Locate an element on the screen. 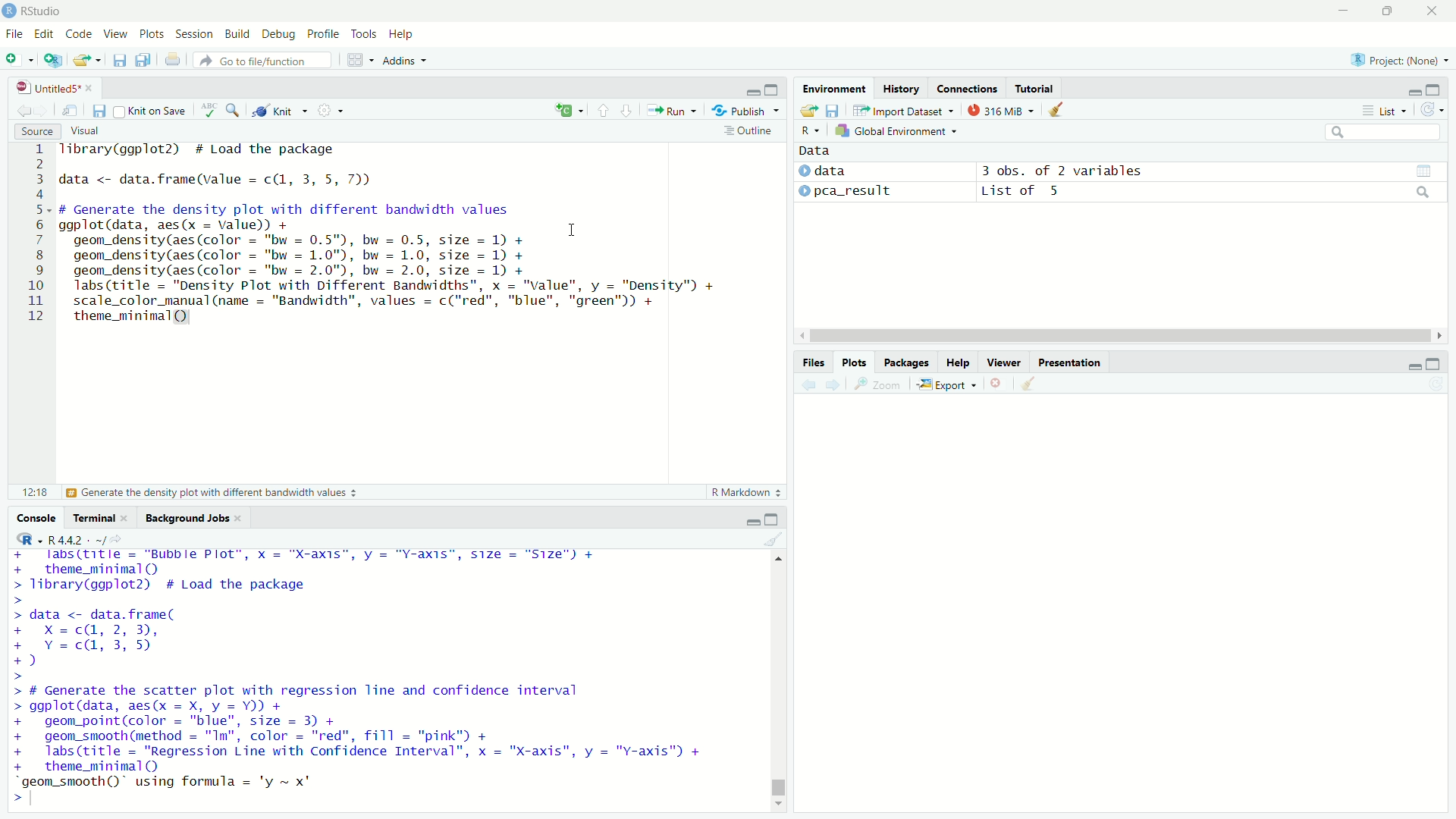  minimize is located at coordinates (752, 522).